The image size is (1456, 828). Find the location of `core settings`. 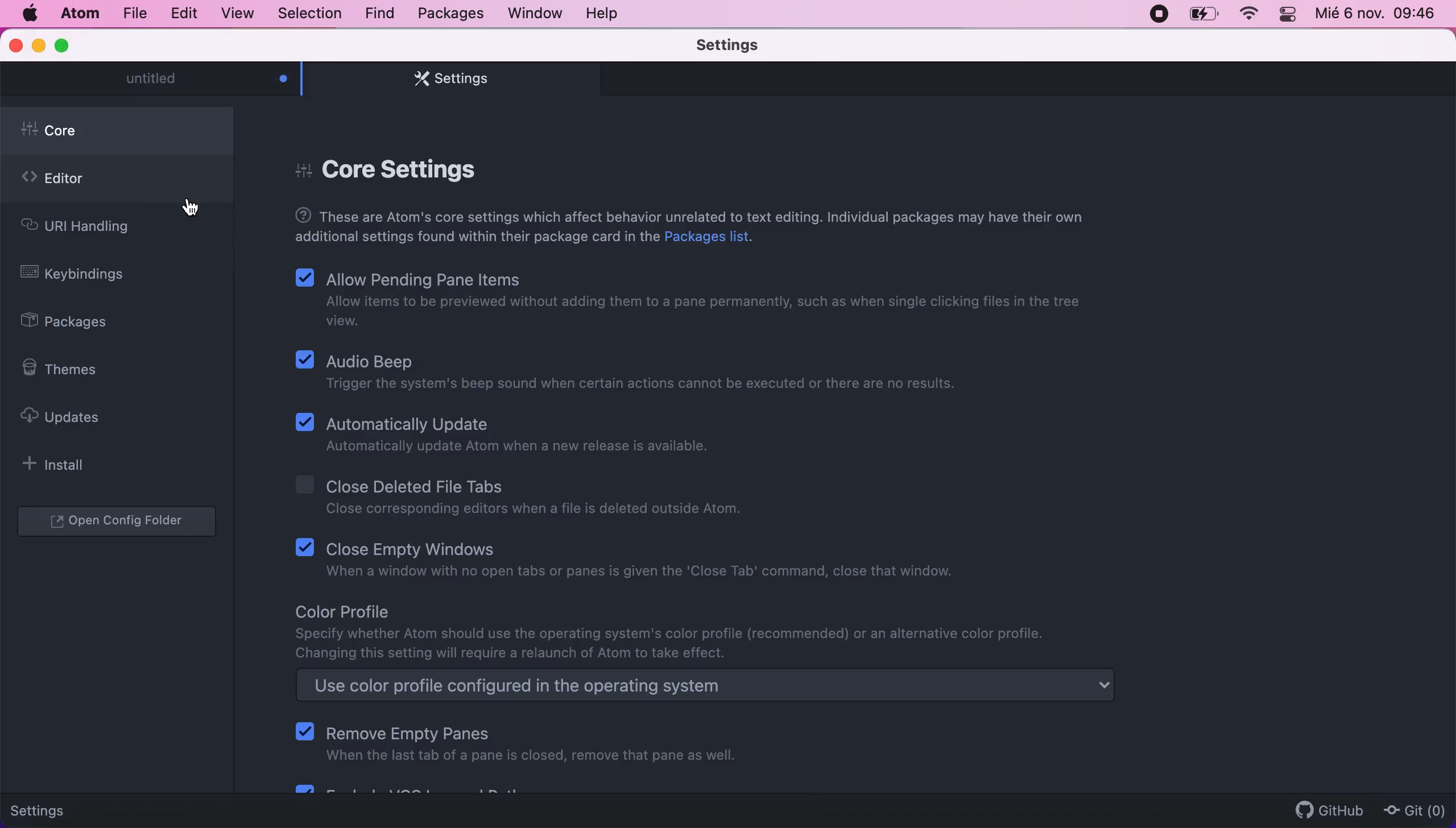

core settings is located at coordinates (396, 164).